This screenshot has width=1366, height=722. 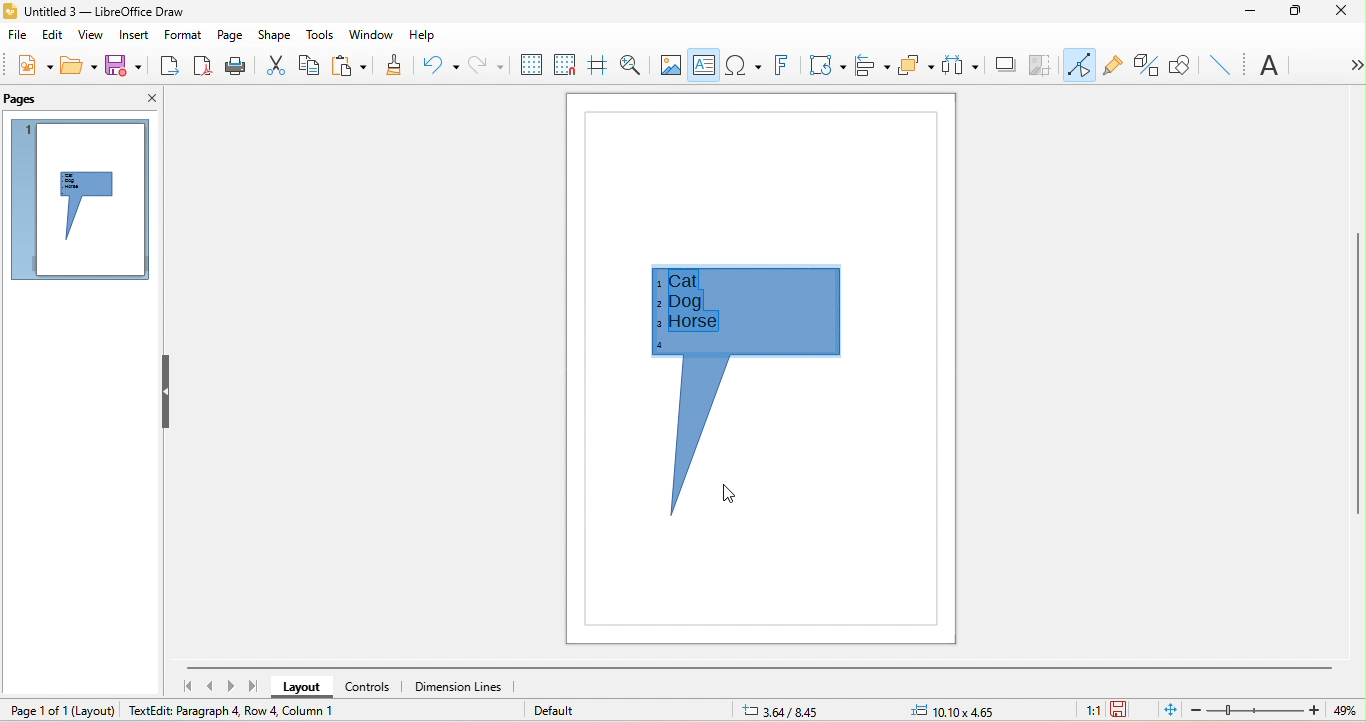 I want to click on insert, so click(x=130, y=35).